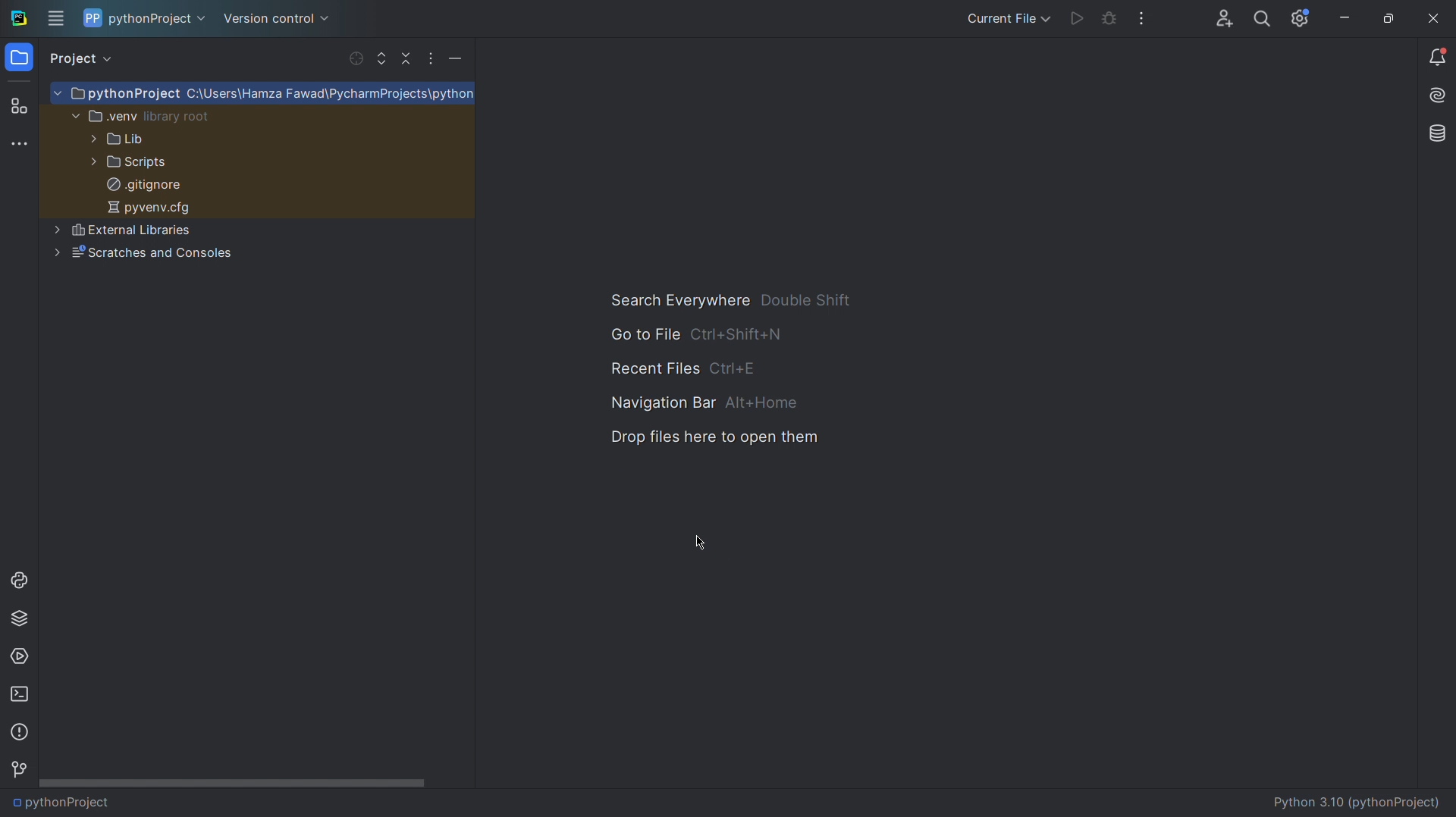 The height and width of the screenshot is (817, 1456). What do you see at coordinates (1221, 18) in the screenshot?
I see `account` at bounding box center [1221, 18].